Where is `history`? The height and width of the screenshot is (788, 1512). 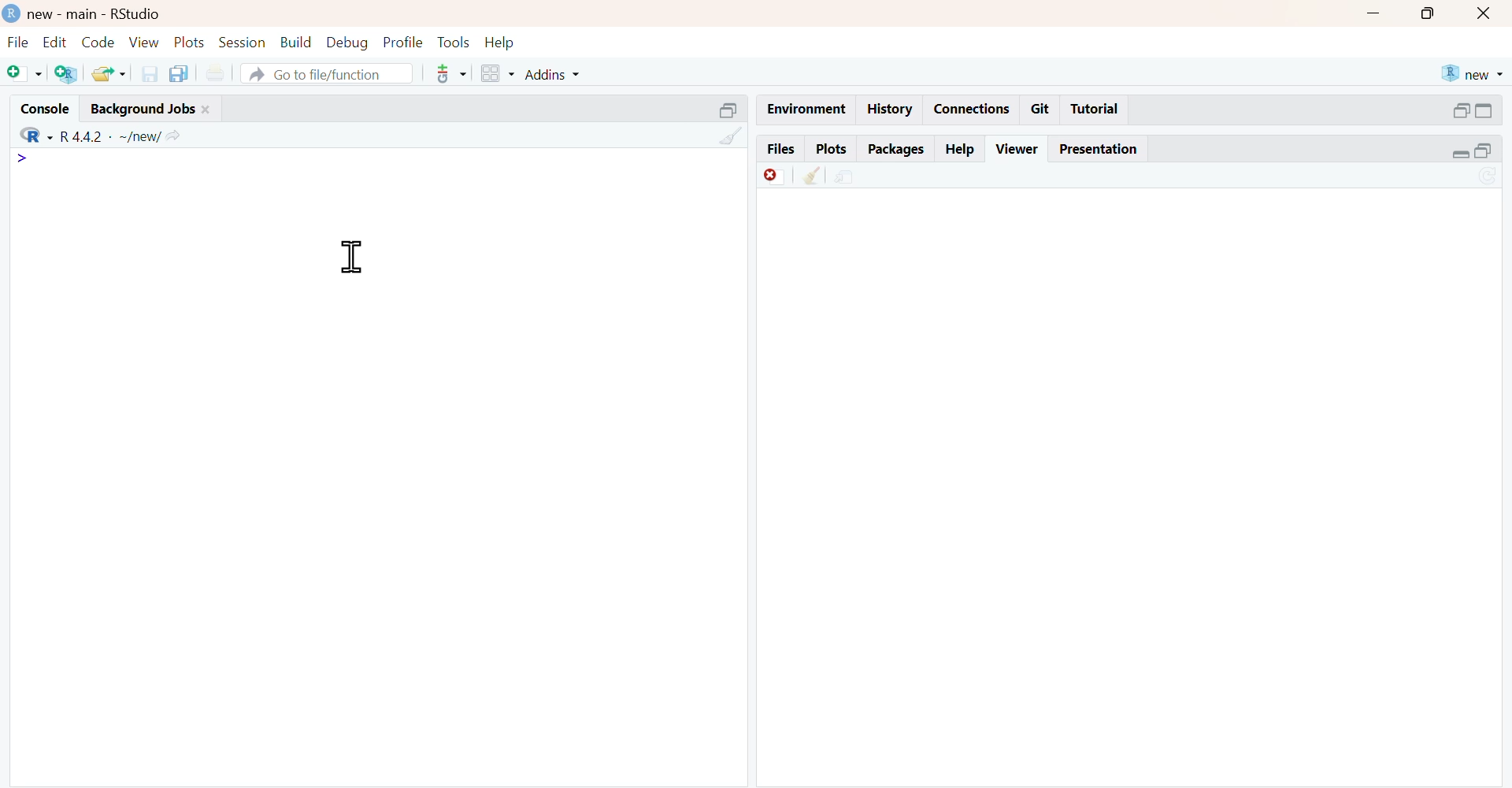 history is located at coordinates (891, 108).